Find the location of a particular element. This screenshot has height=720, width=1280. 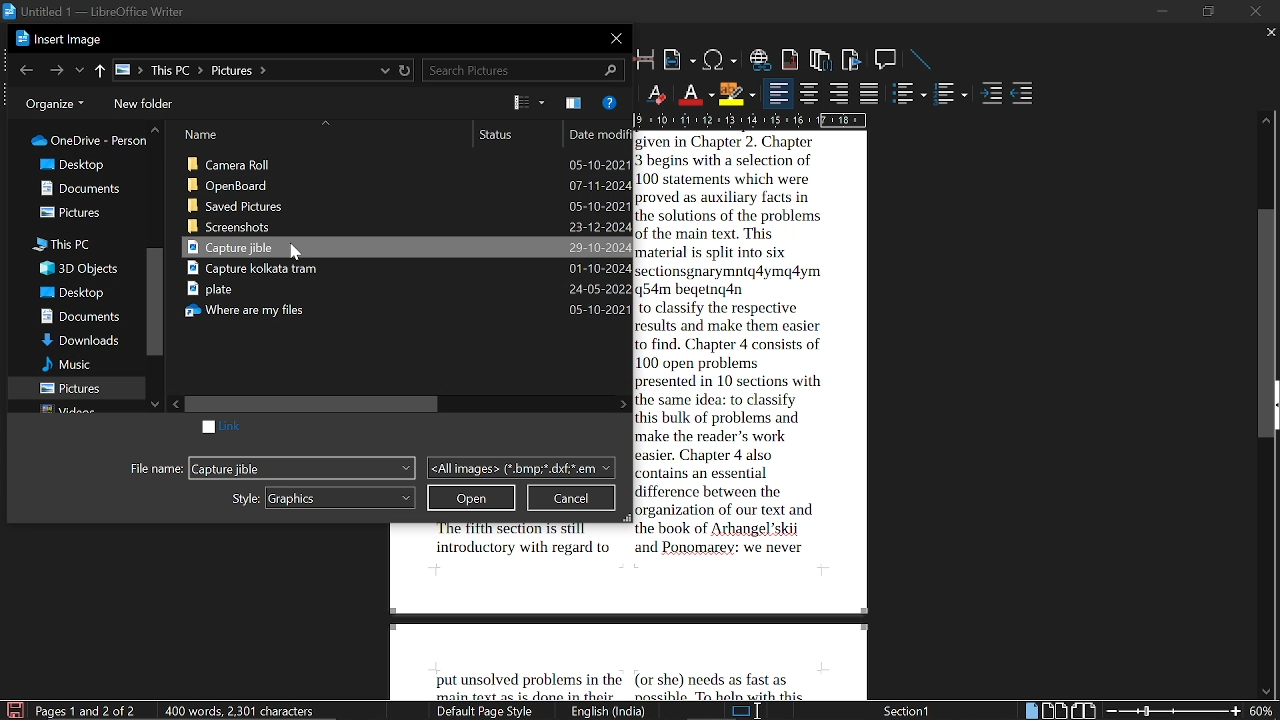

organize  is located at coordinates (57, 103).